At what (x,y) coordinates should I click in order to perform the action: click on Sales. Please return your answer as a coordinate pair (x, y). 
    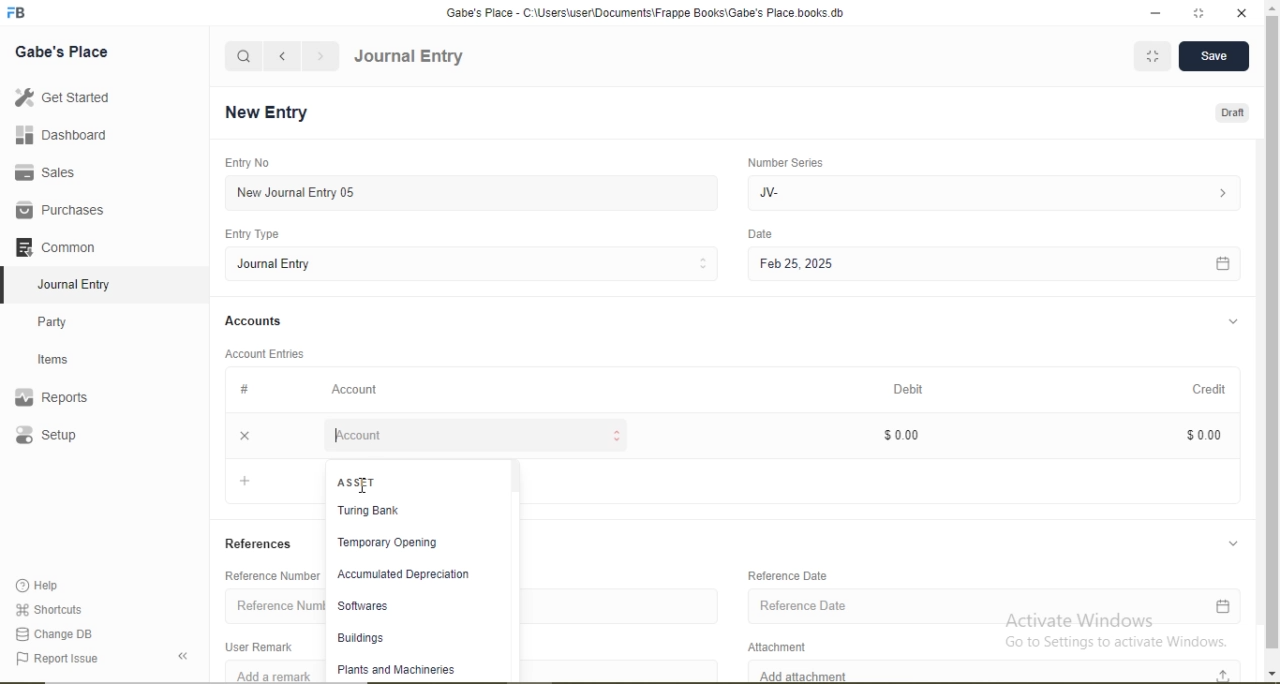
    Looking at the image, I should click on (54, 172).